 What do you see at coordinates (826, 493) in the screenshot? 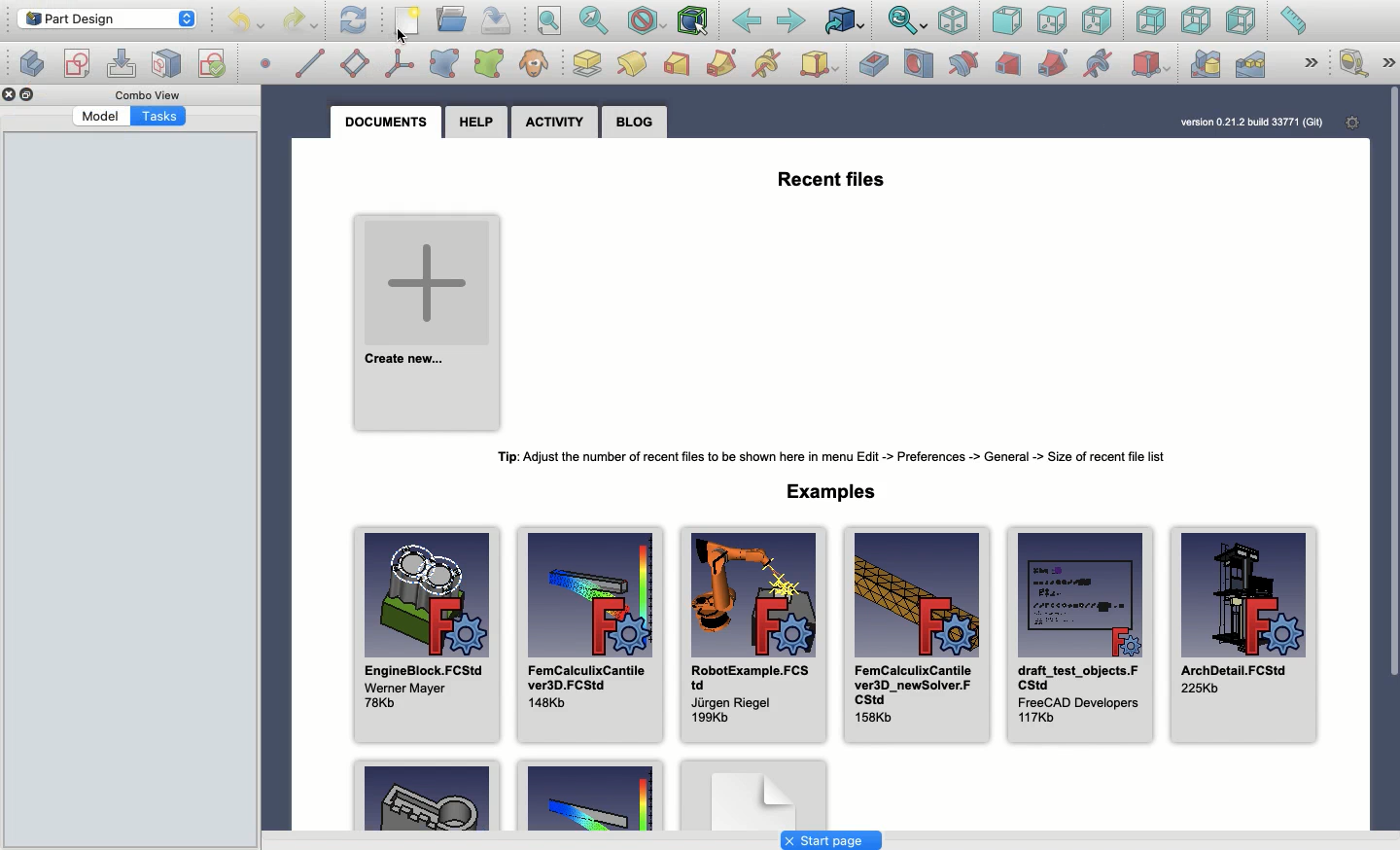
I see `Examples` at bounding box center [826, 493].